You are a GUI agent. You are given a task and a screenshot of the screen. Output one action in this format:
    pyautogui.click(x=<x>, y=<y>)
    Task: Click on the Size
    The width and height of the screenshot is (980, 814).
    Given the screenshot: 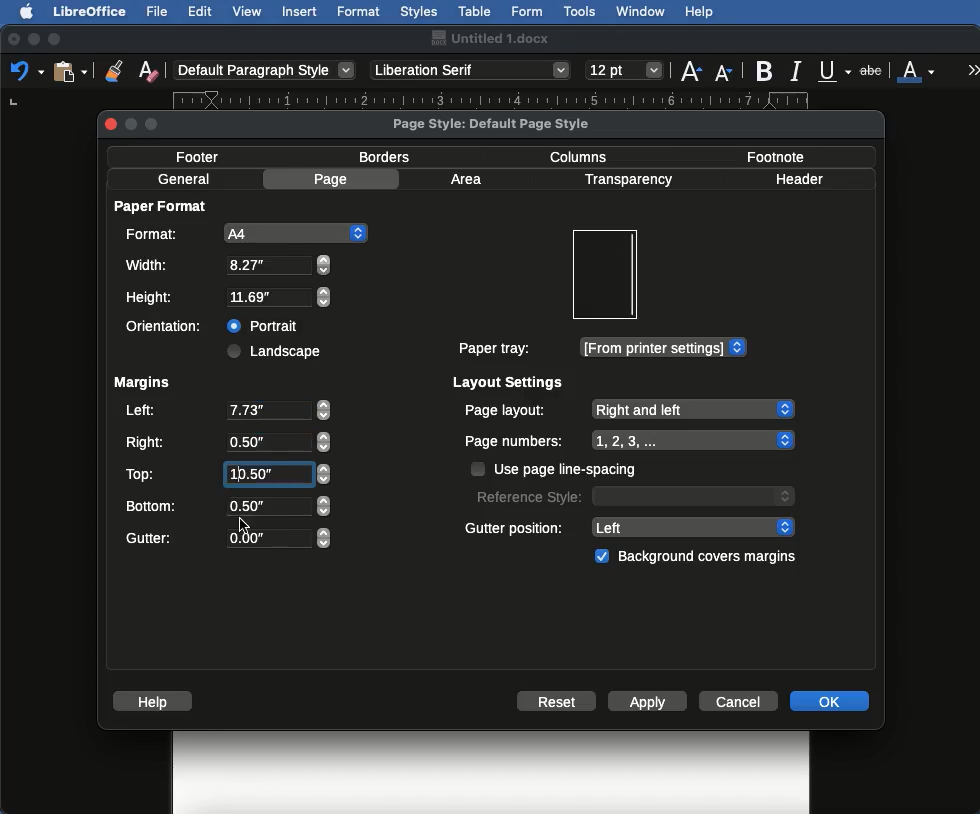 What is the action you would take?
    pyautogui.click(x=626, y=71)
    